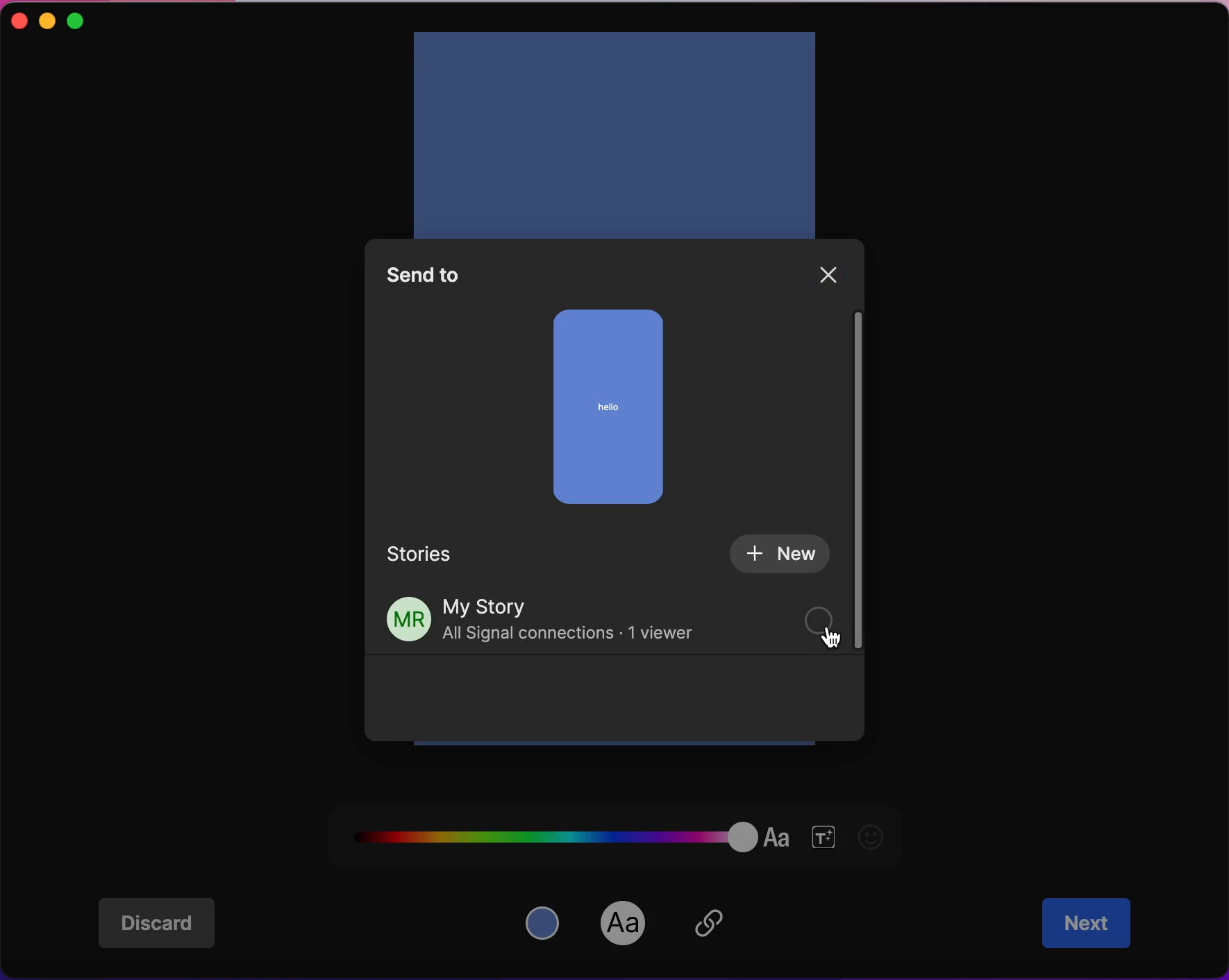 Image resolution: width=1229 pixels, height=980 pixels. Describe the element at coordinates (92, 19) in the screenshot. I see `maximize` at that location.